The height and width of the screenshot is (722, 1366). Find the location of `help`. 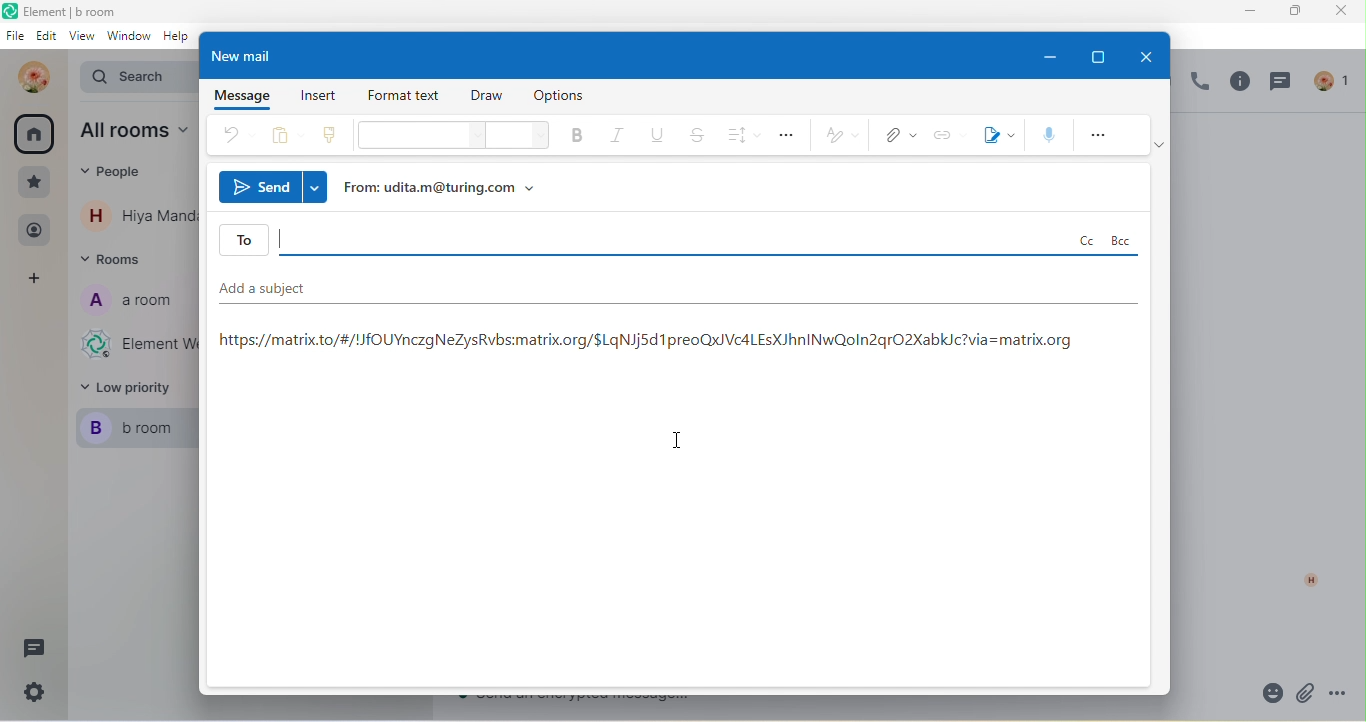

help is located at coordinates (180, 42).